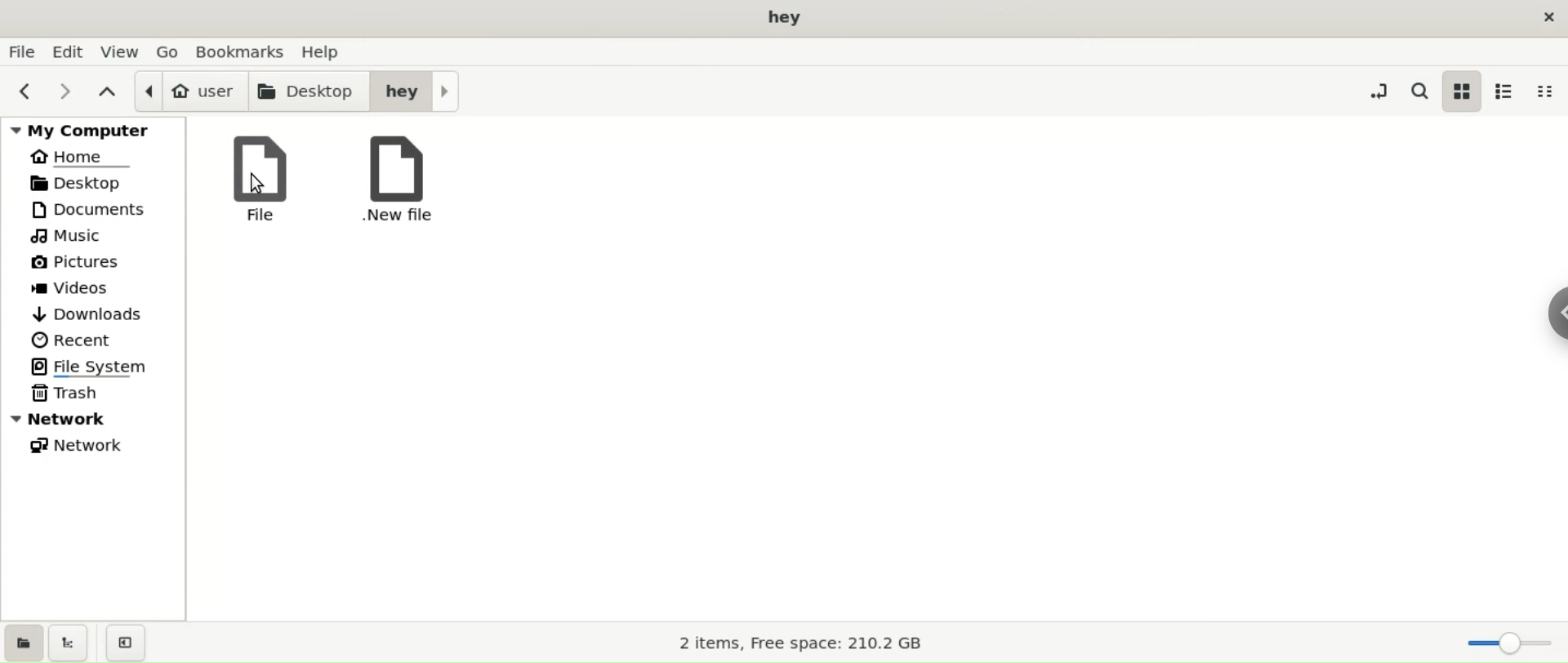 The height and width of the screenshot is (663, 1568). Describe the element at coordinates (329, 50) in the screenshot. I see `help` at that location.